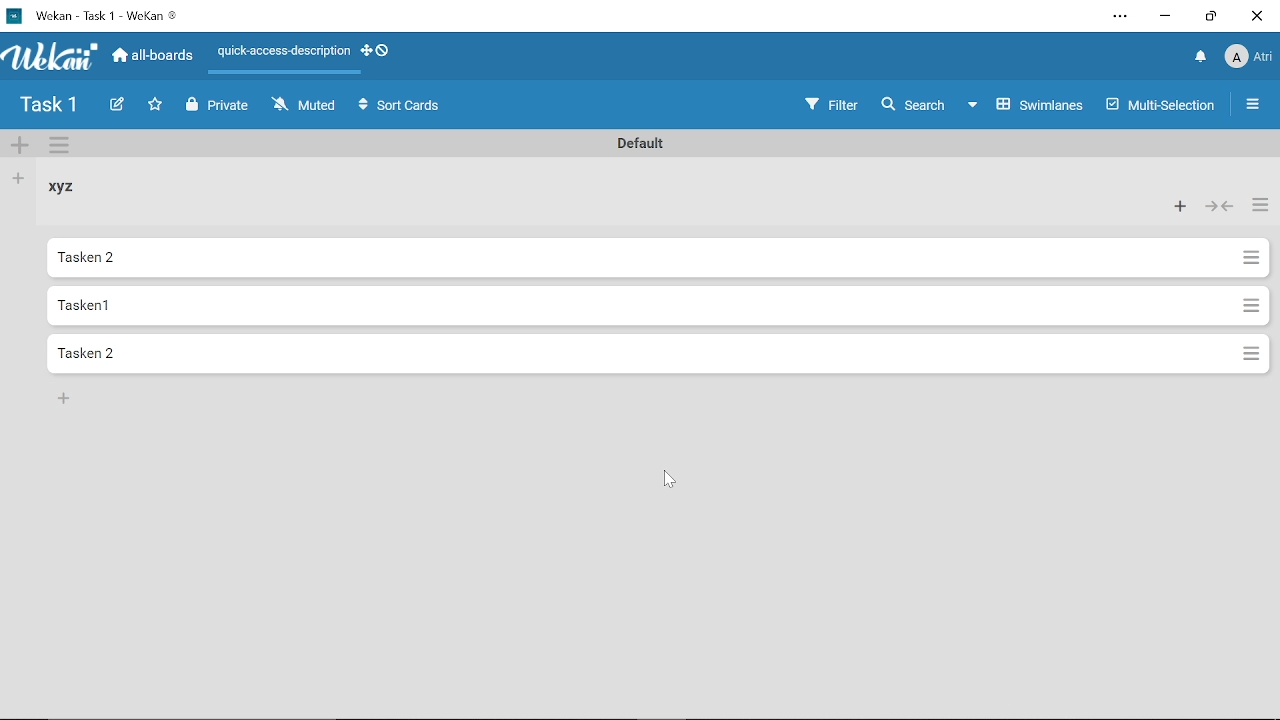  What do you see at coordinates (400, 106) in the screenshot?
I see `Sort cards` at bounding box center [400, 106].